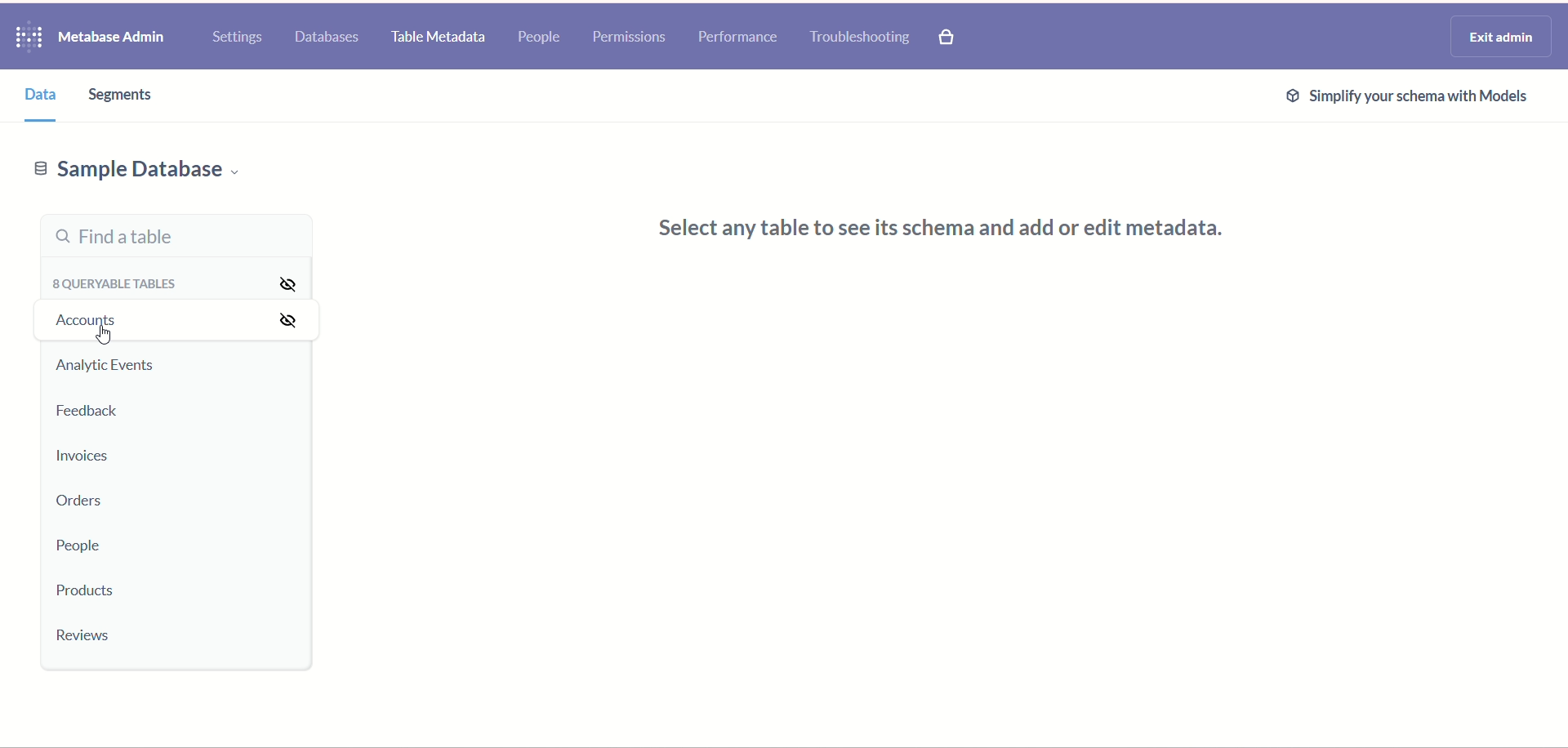 The width and height of the screenshot is (1568, 748). I want to click on settings, so click(238, 38).